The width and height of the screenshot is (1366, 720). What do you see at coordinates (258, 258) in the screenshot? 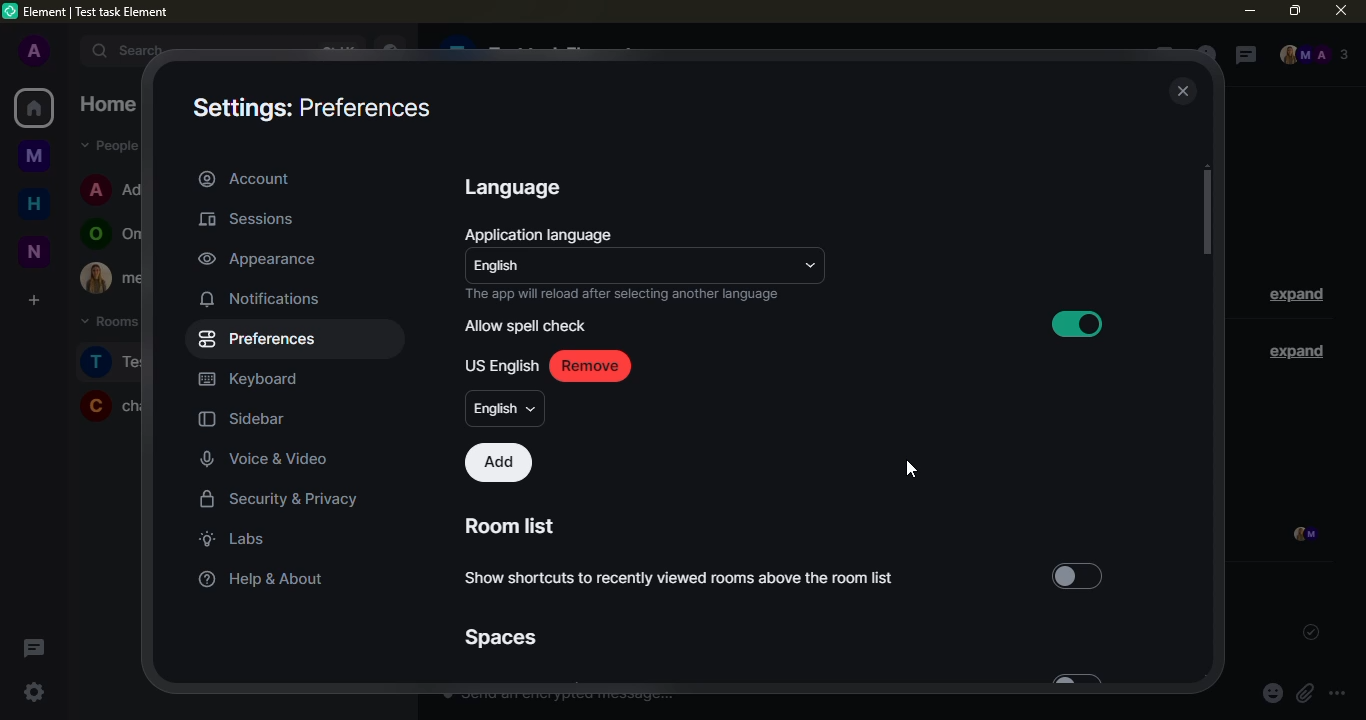
I see `appearance` at bounding box center [258, 258].